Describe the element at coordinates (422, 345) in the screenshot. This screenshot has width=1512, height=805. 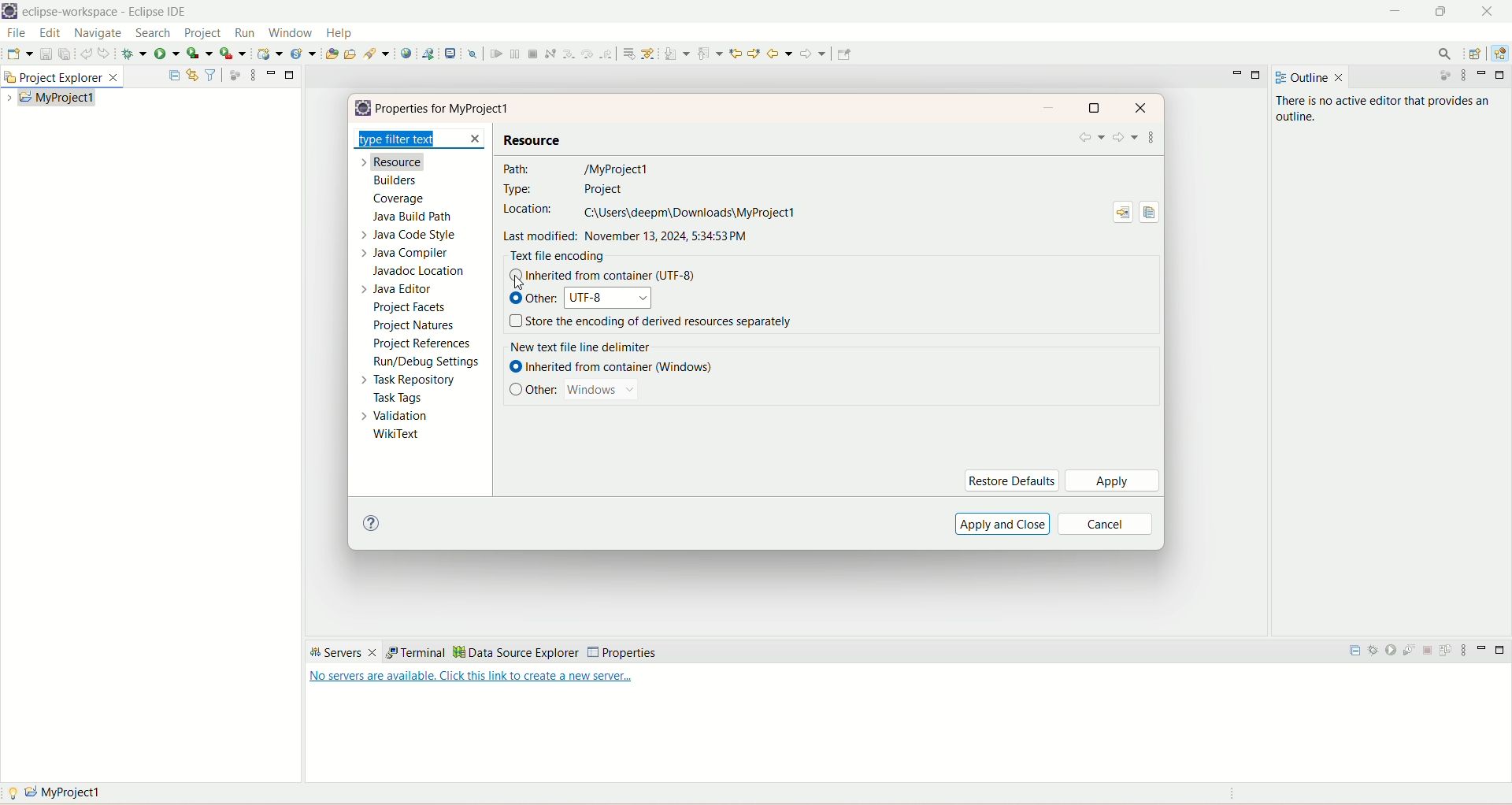
I see `project references` at that location.